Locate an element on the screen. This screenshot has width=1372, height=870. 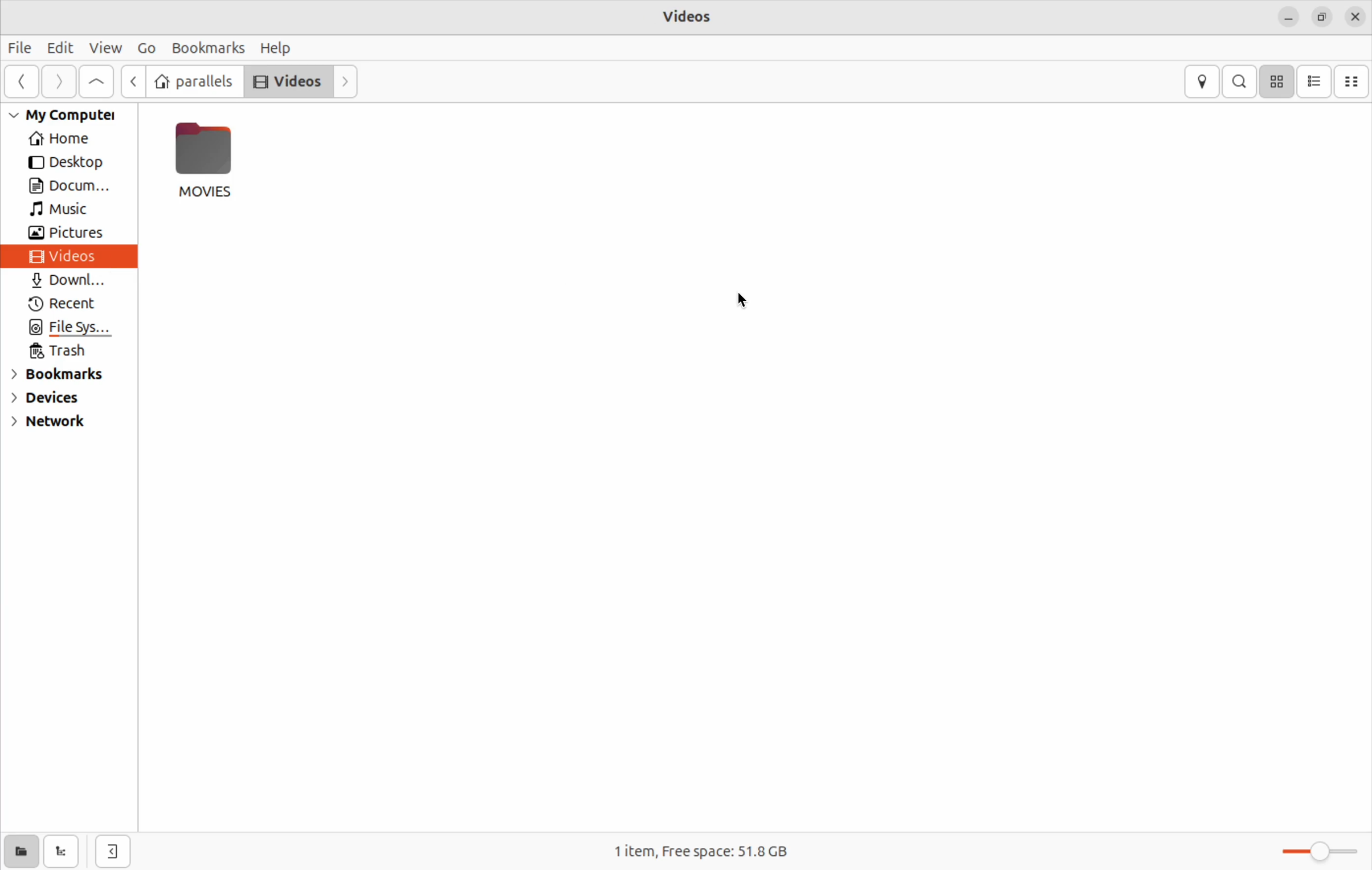
Movies is located at coordinates (206, 160).